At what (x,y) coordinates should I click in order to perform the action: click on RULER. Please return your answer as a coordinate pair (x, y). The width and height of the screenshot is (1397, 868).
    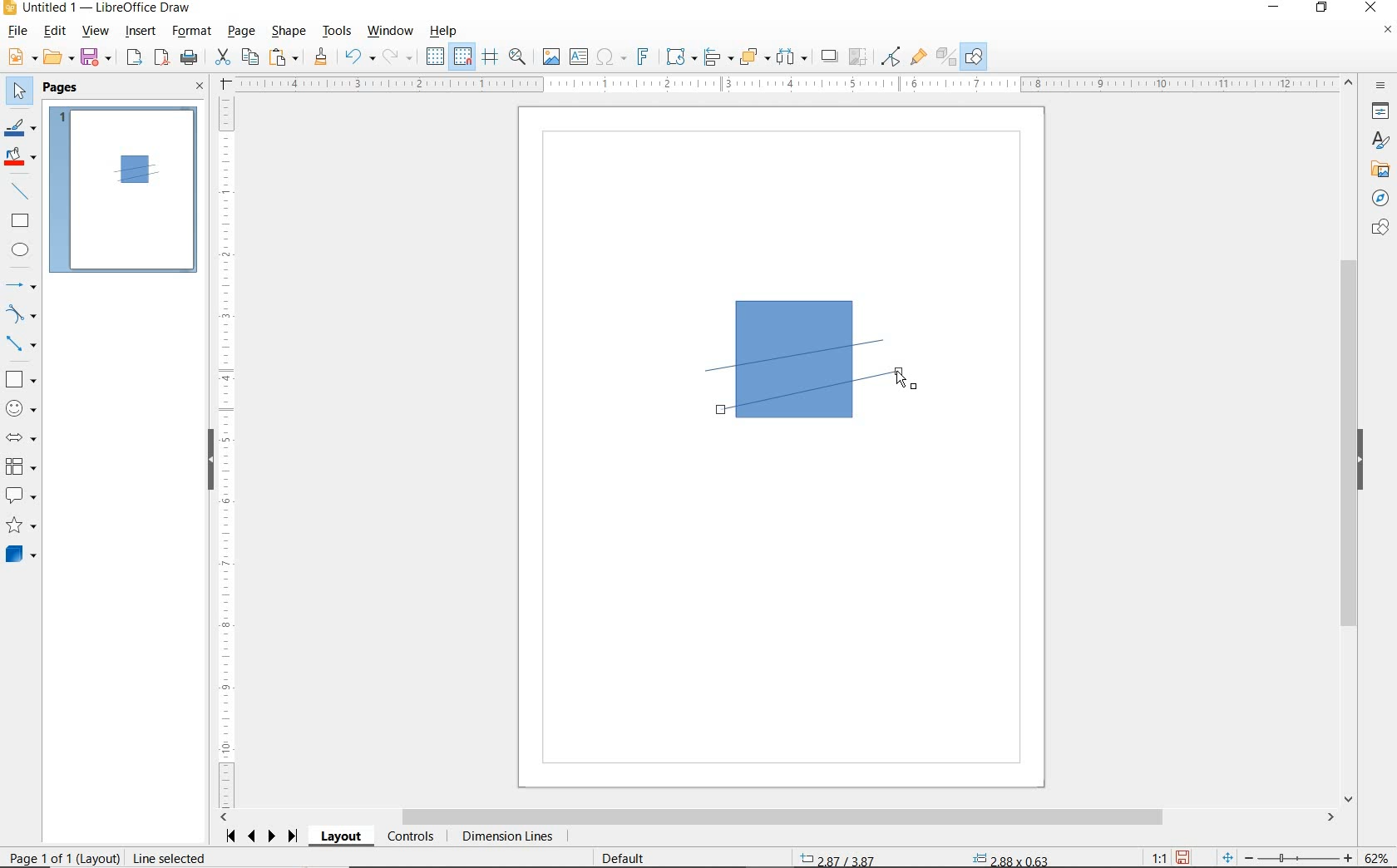
    Looking at the image, I should click on (227, 452).